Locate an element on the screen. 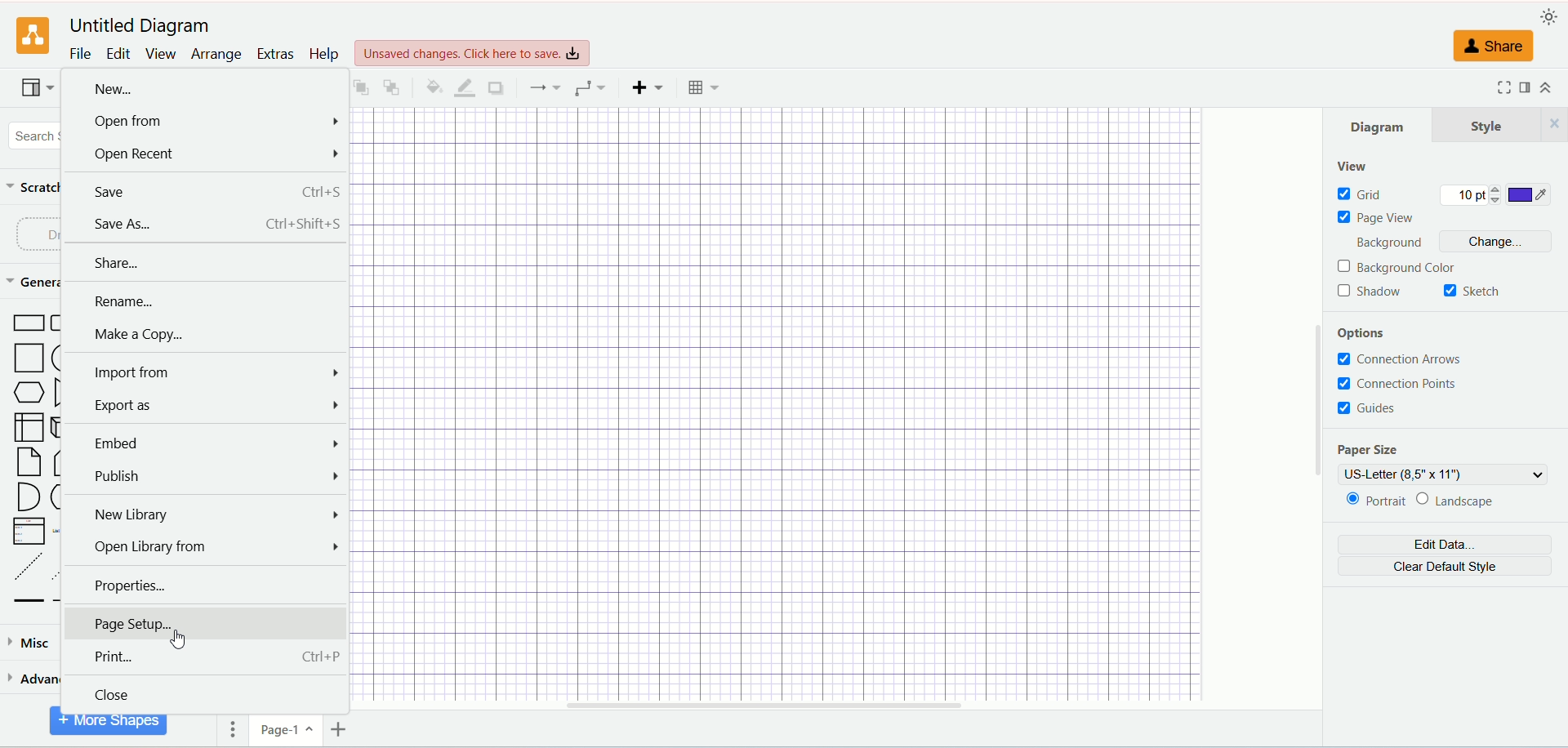 The width and height of the screenshot is (1568, 748). search shapes is located at coordinates (33, 133).